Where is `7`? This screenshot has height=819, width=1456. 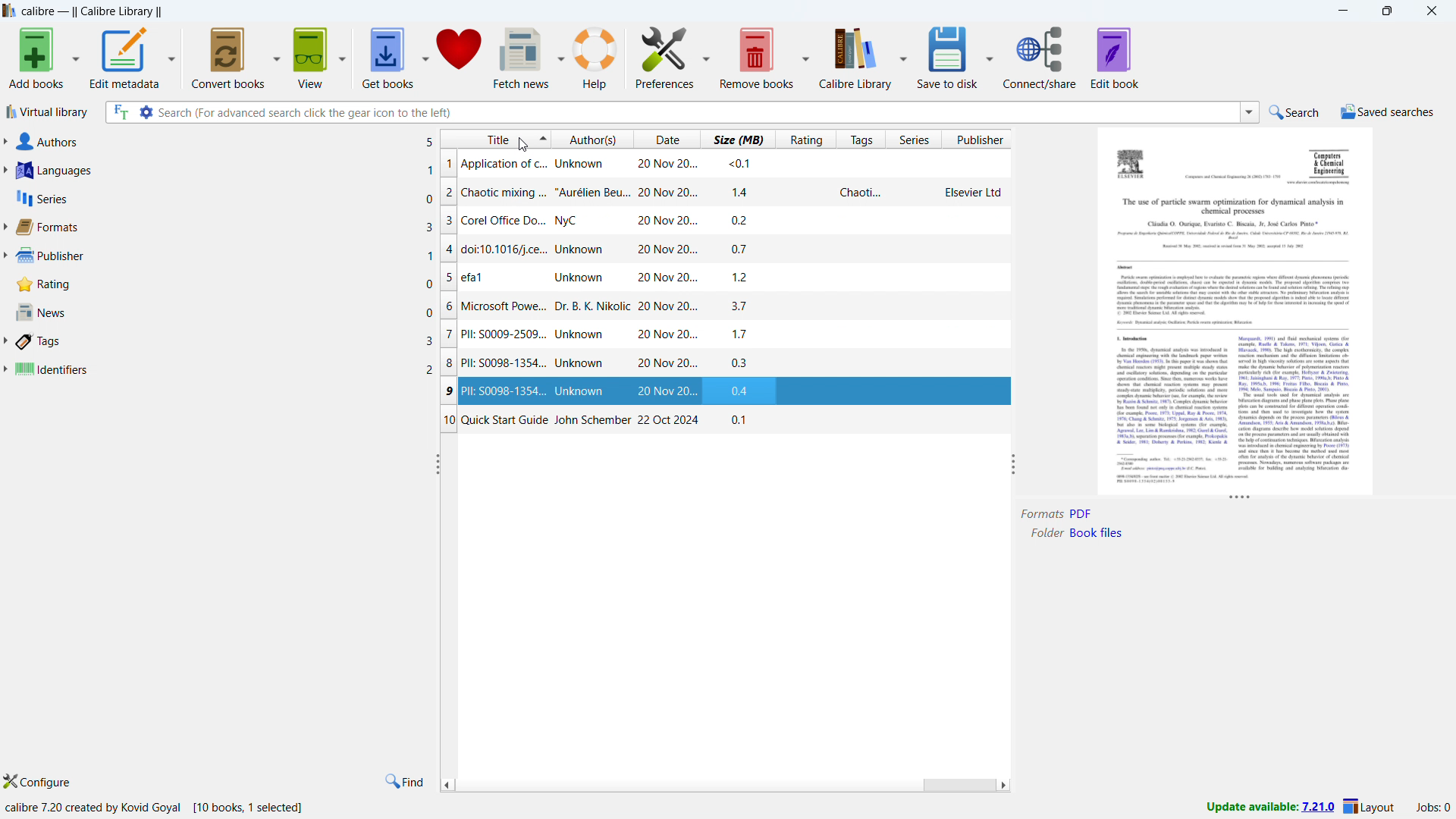 7 is located at coordinates (447, 336).